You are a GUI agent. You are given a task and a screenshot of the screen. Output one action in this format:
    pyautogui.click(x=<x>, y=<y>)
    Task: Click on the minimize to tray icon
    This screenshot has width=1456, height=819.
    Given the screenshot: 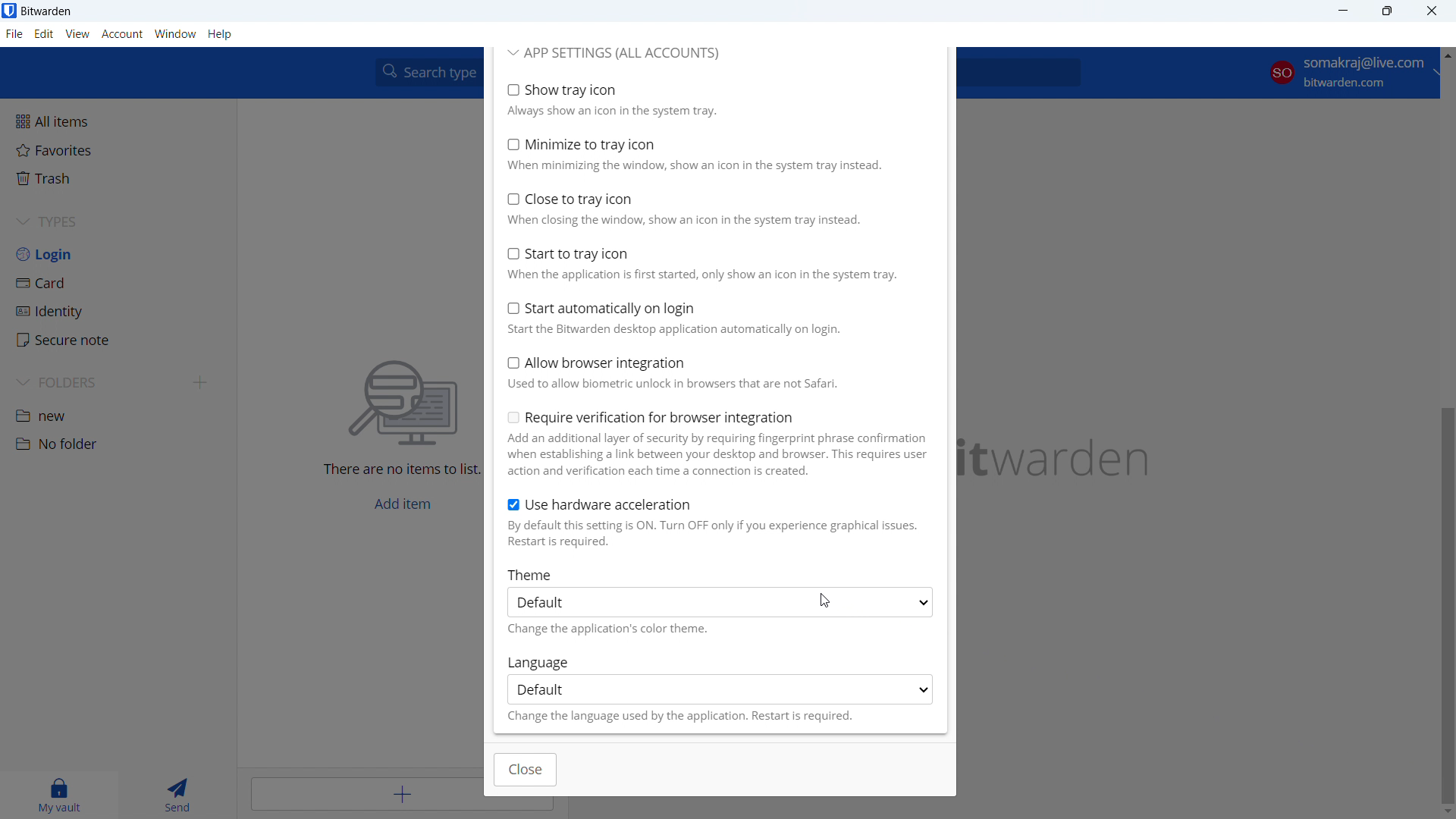 What is the action you would take?
    pyautogui.click(x=713, y=155)
    